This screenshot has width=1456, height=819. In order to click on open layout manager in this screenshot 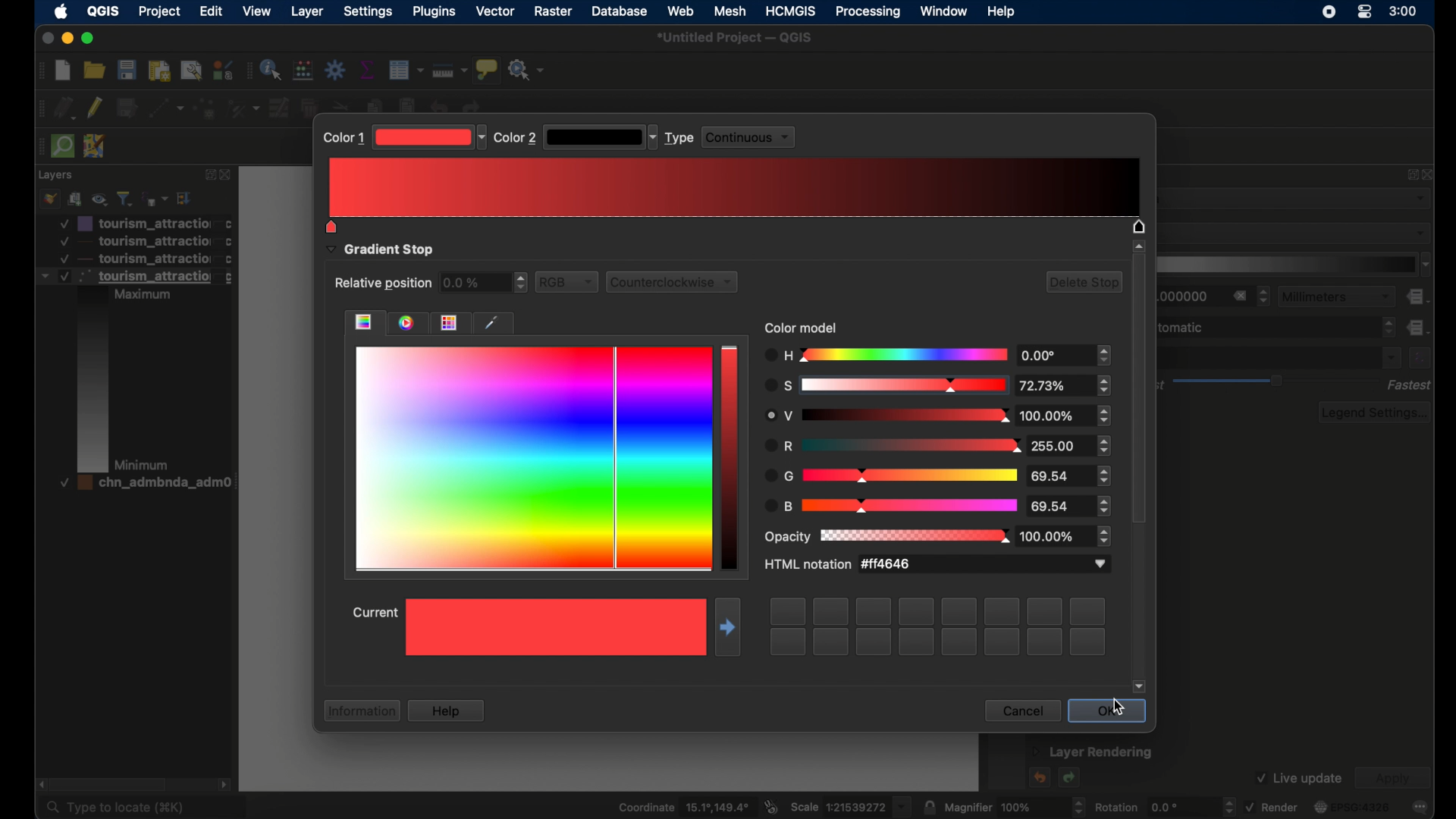, I will do `click(191, 71)`.